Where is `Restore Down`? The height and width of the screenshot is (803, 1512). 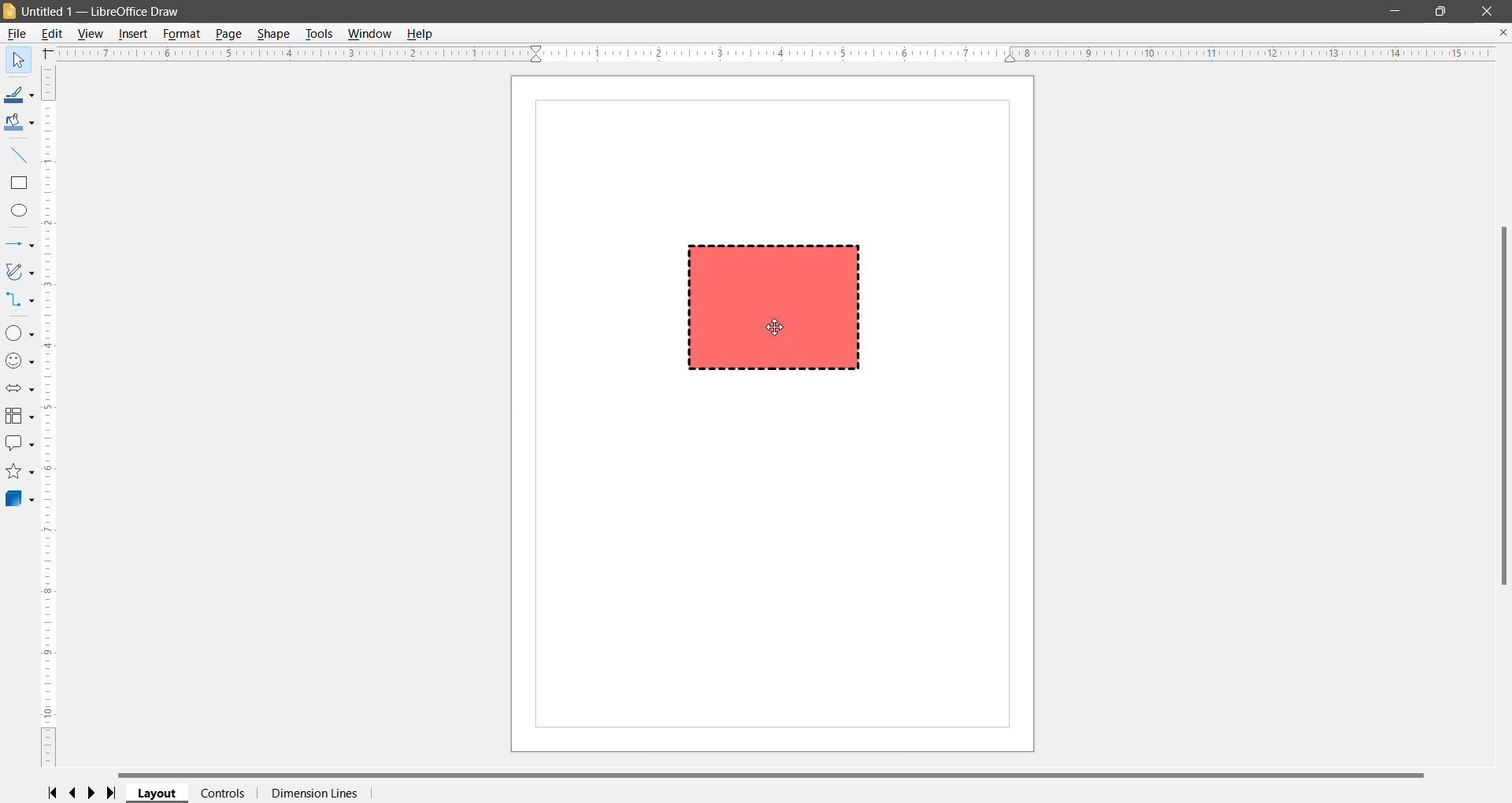 Restore Down is located at coordinates (1442, 12).